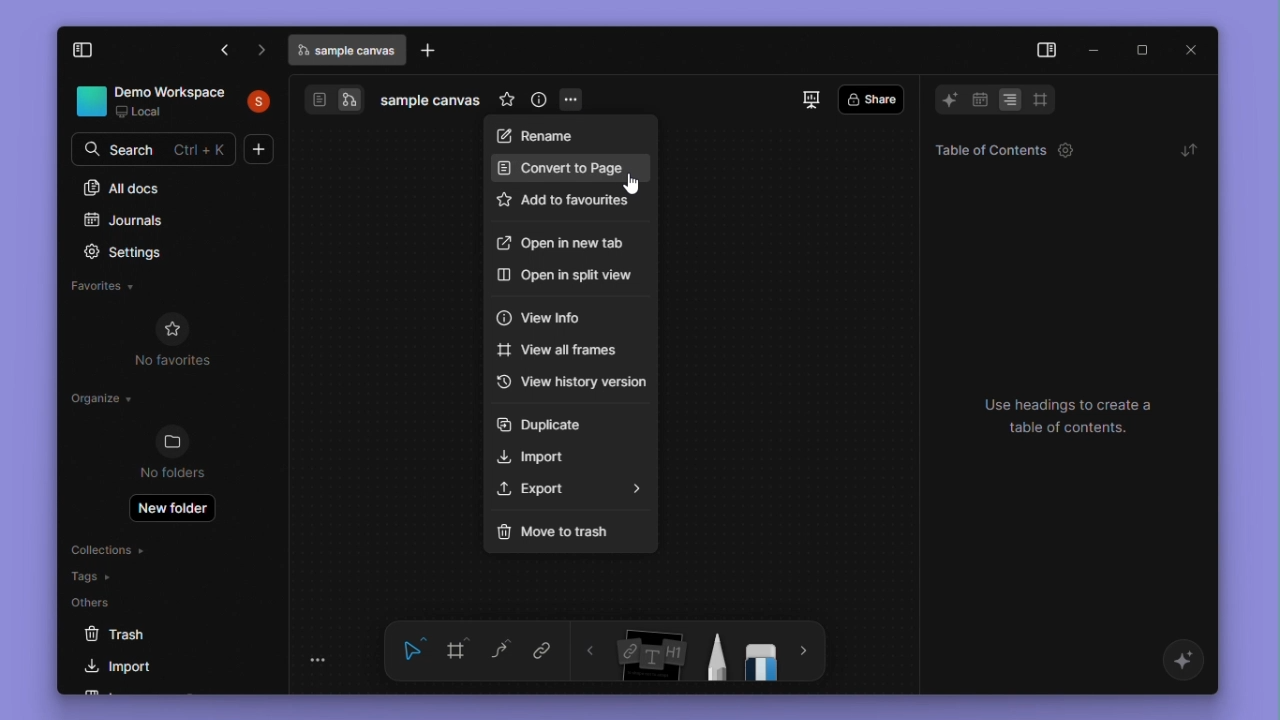 The image size is (1280, 720). I want to click on Others, so click(99, 601).